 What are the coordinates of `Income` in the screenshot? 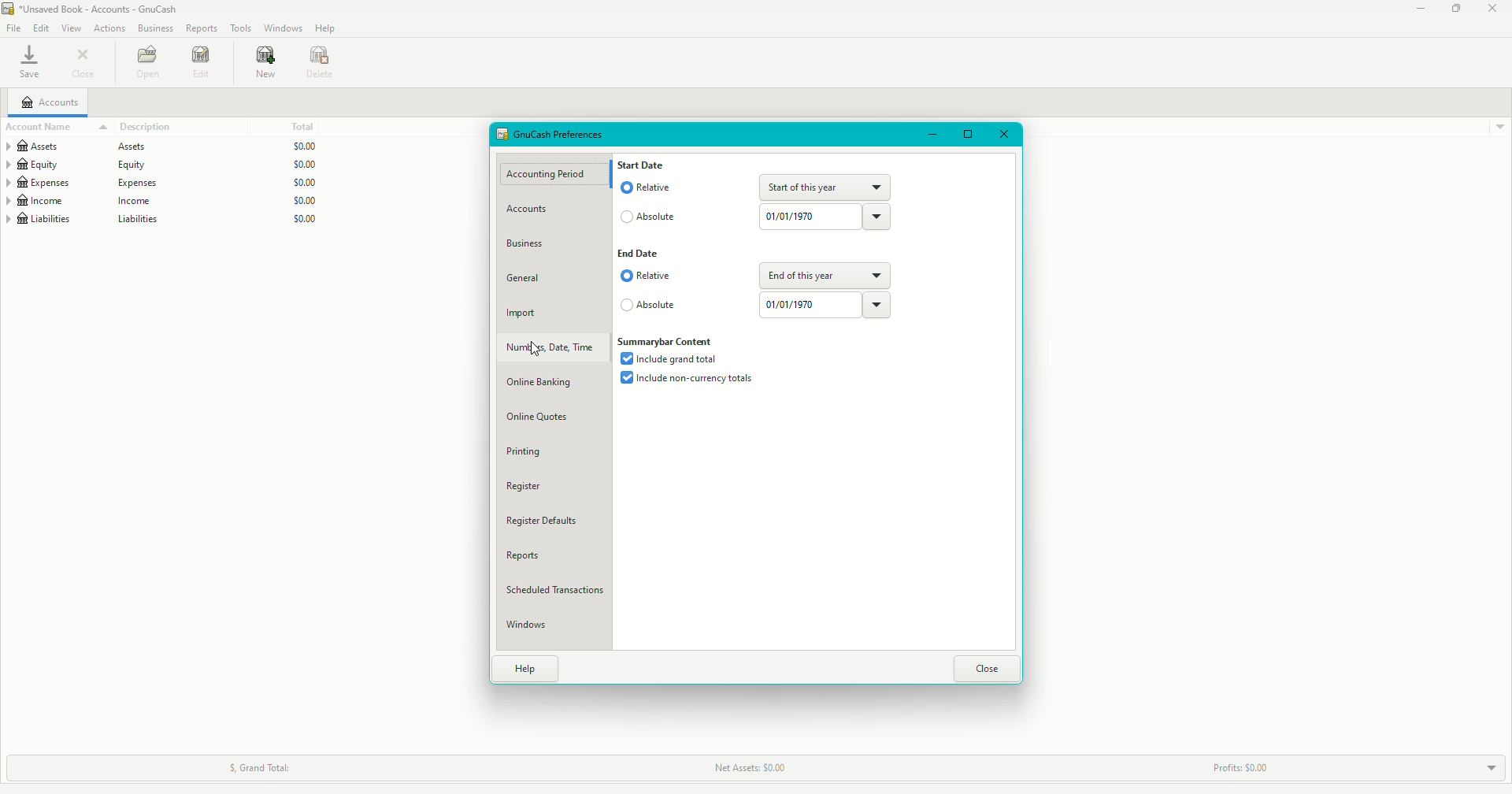 It's located at (162, 202).